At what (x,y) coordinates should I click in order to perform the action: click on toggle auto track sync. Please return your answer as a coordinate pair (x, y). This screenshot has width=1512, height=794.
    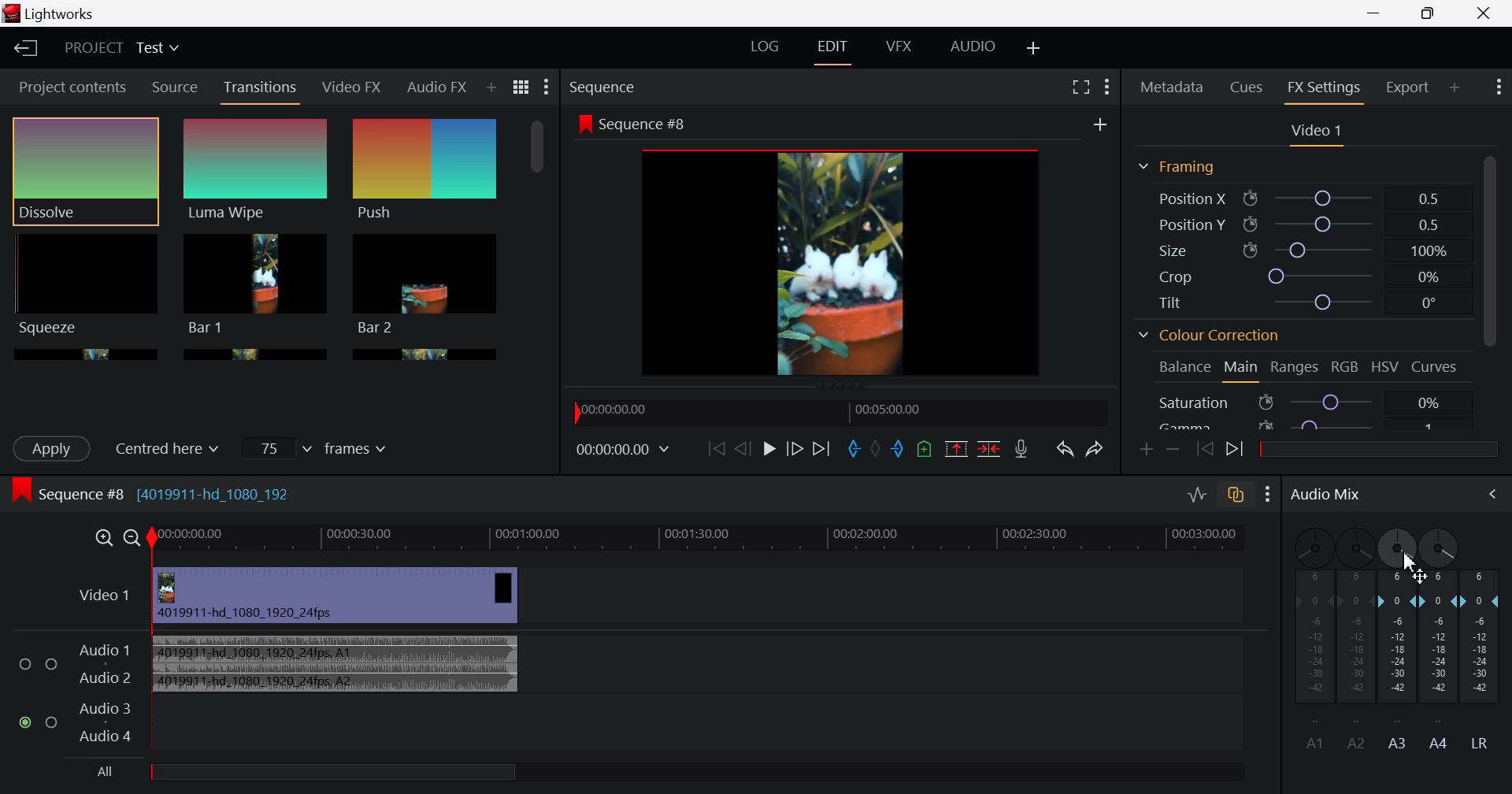
    Looking at the image, I should click on (1237, 499).